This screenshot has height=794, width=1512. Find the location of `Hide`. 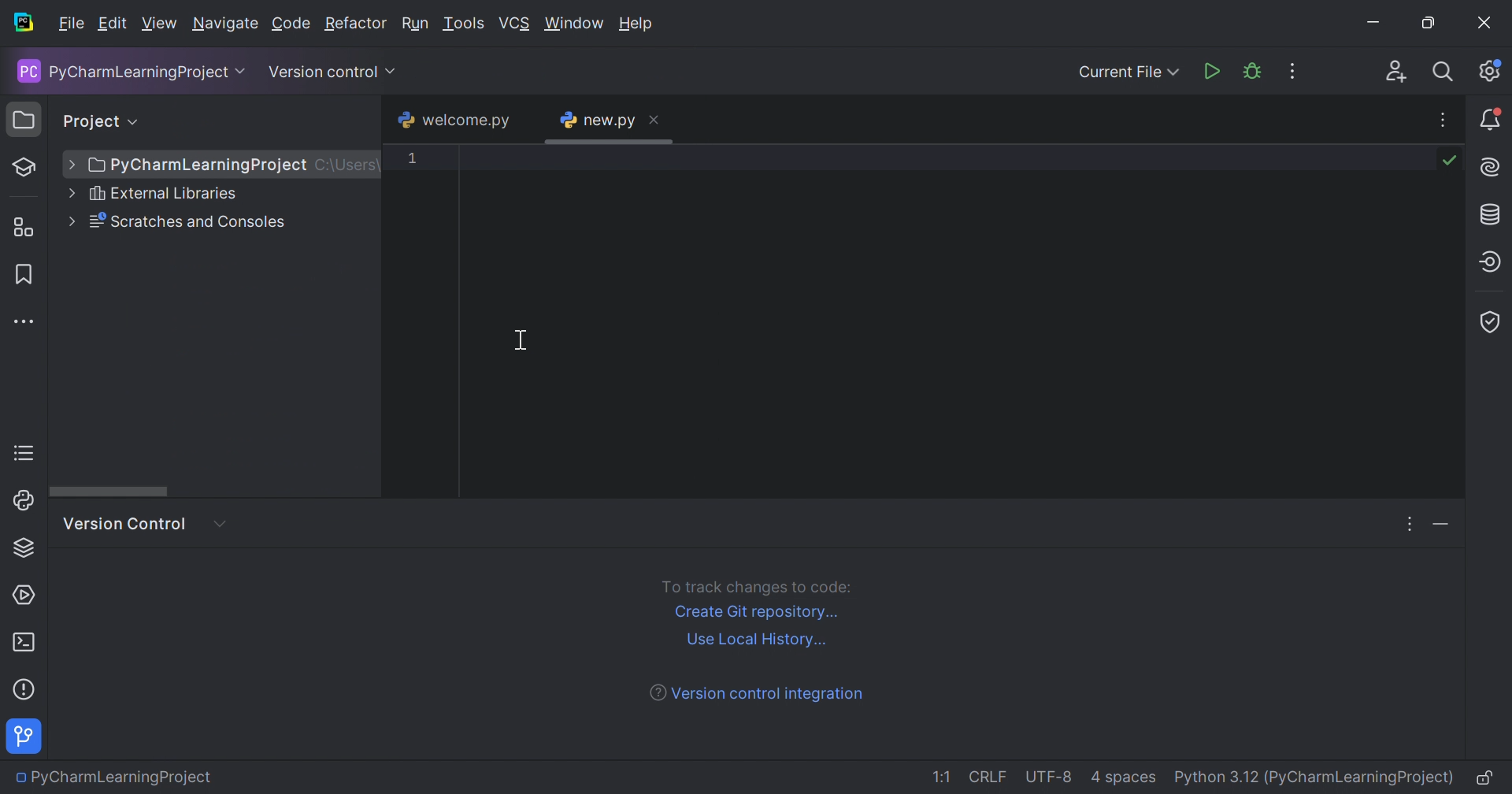

Hide is located at coordinates (1444, 525).